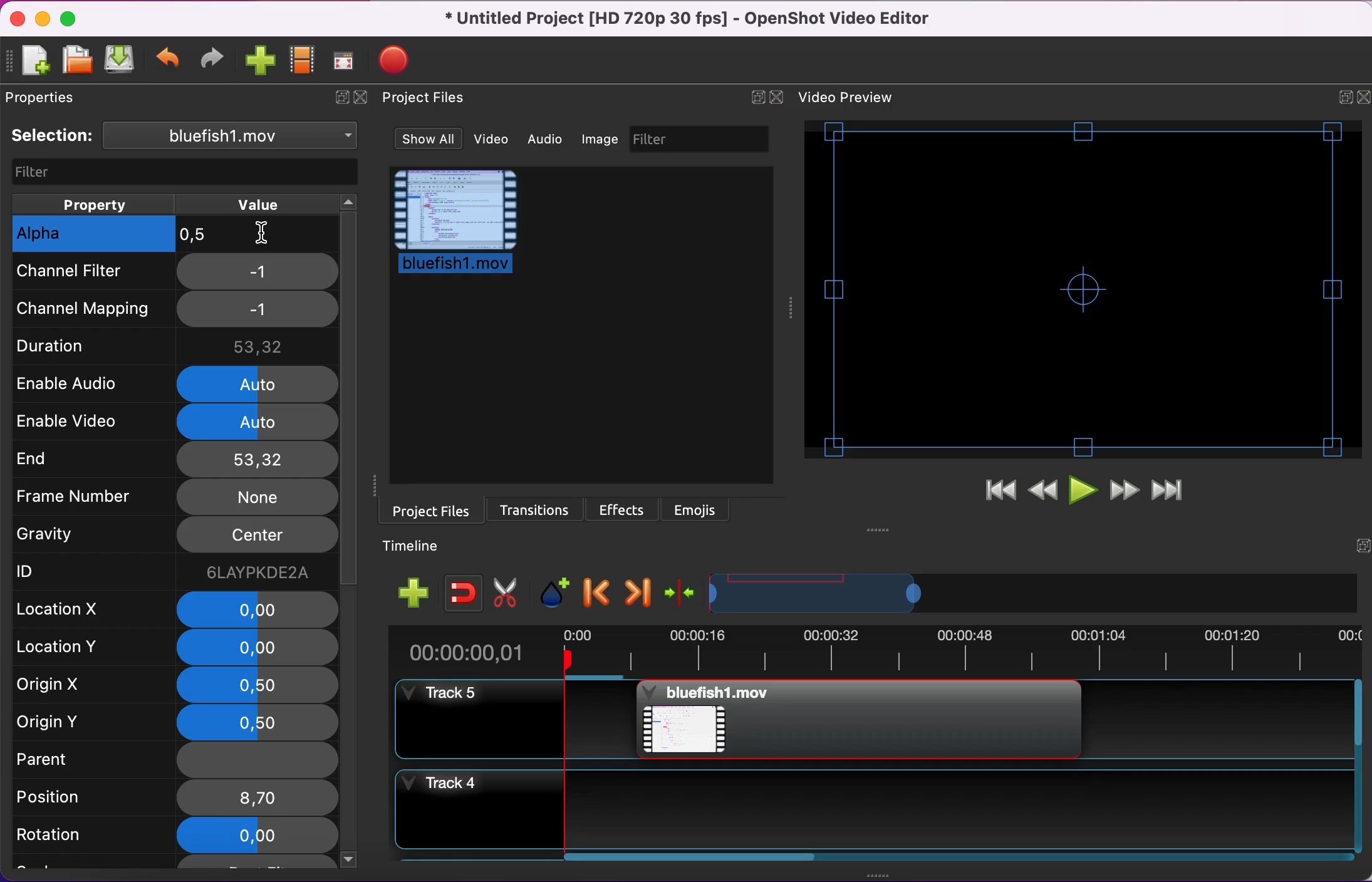 This screenshot has width=1372, height=882. I want to click on Bluefish project file, so click(858, 719).